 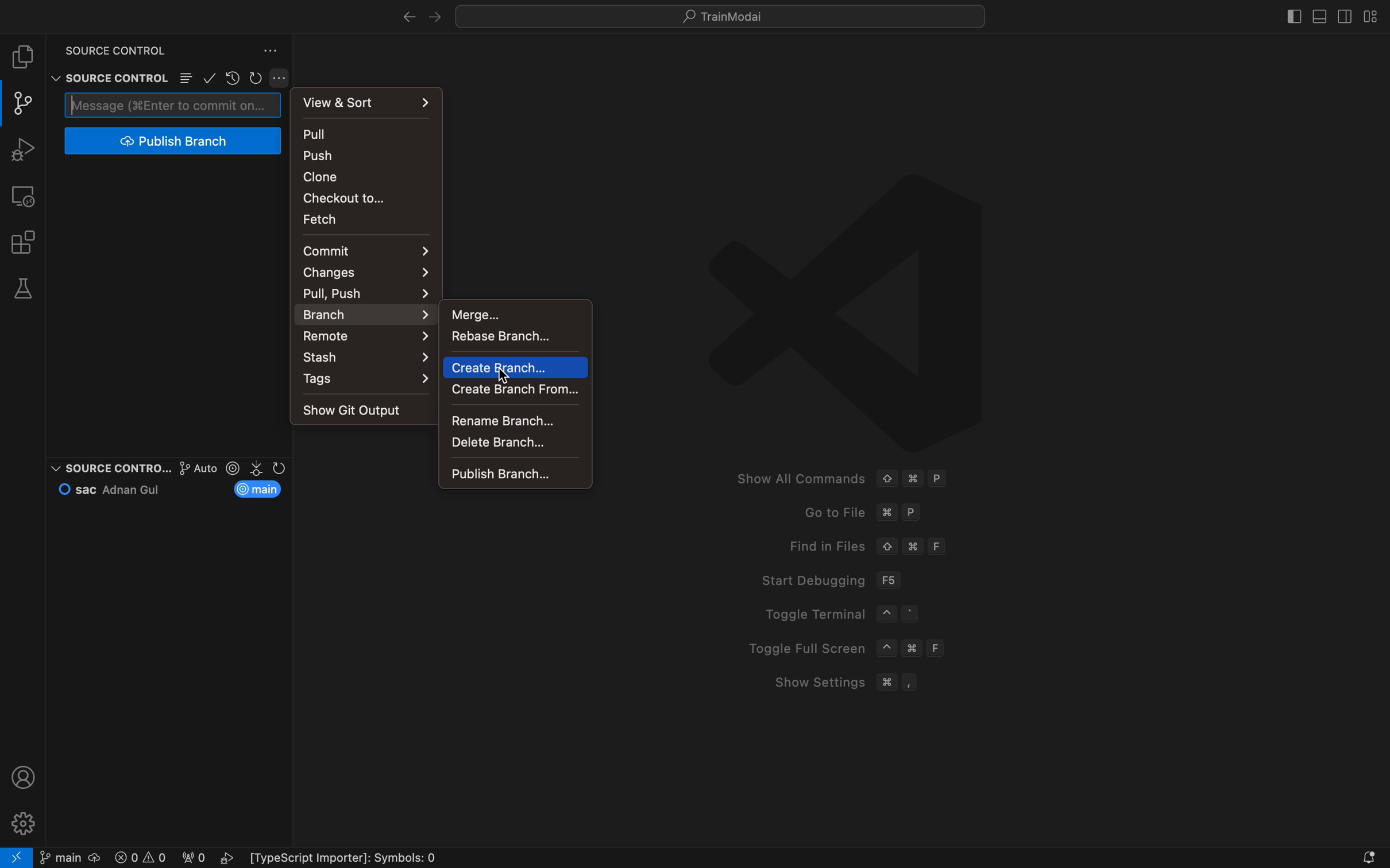 I want to click on , so click(x=283, y=78).